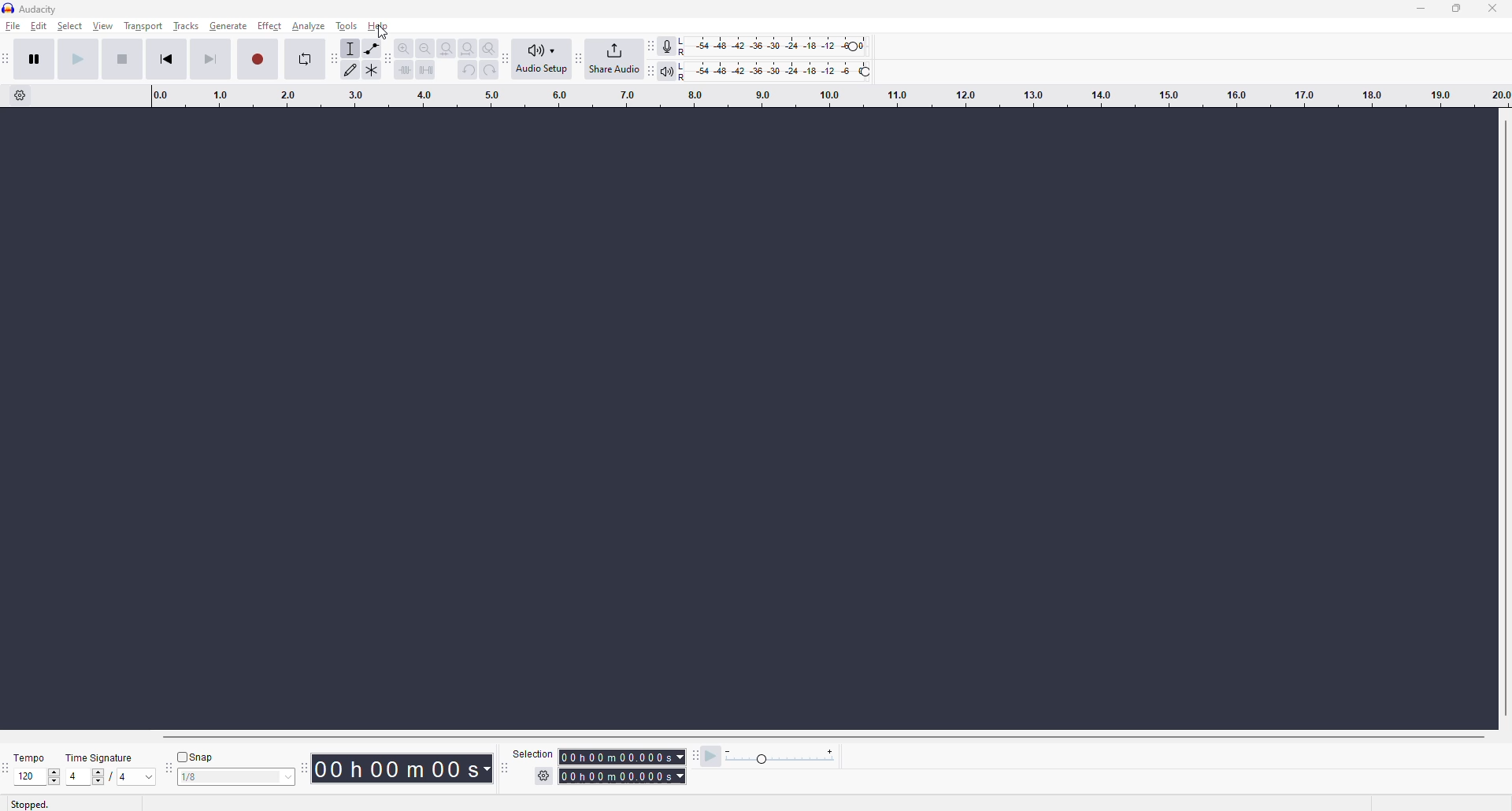  What do you see at coordinates (261, 59) in the screenshot?
I see `record` at bounding box center [261, 59].